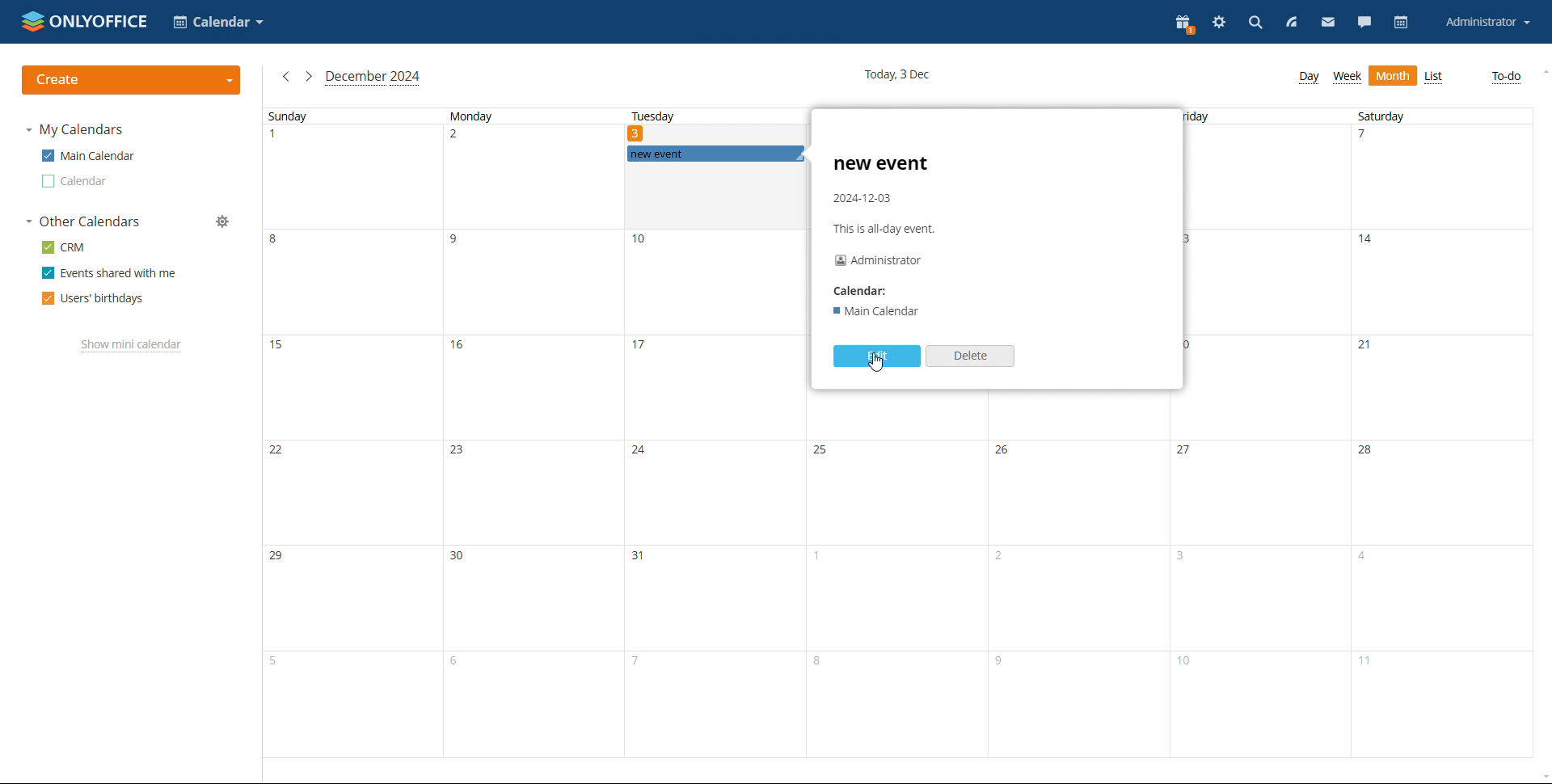 The image size is (1552, 784). I want to click on sunday, so click(348, 433).